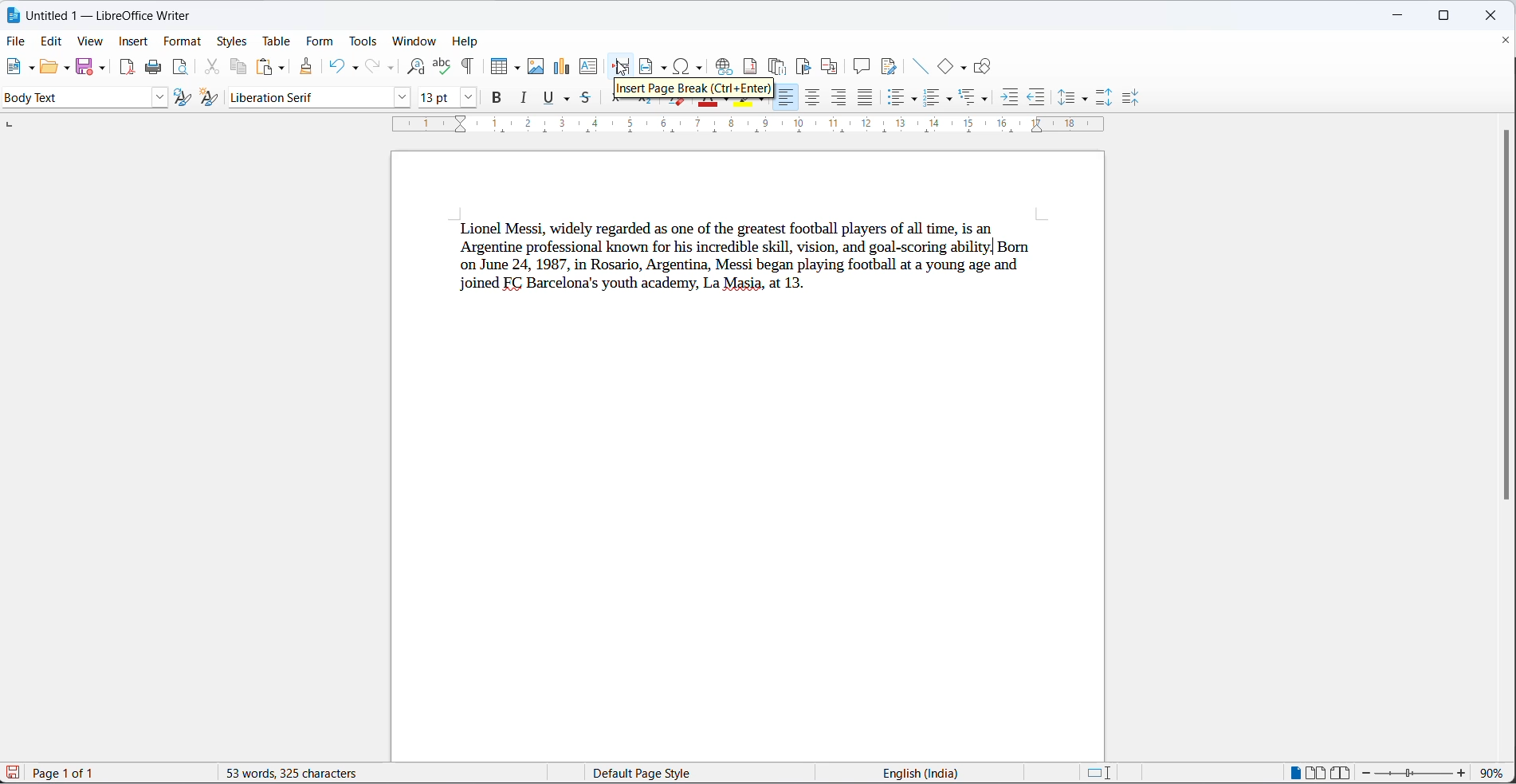 The image size is (1516, 784). I want to click on update selected style, so click(184, 98).